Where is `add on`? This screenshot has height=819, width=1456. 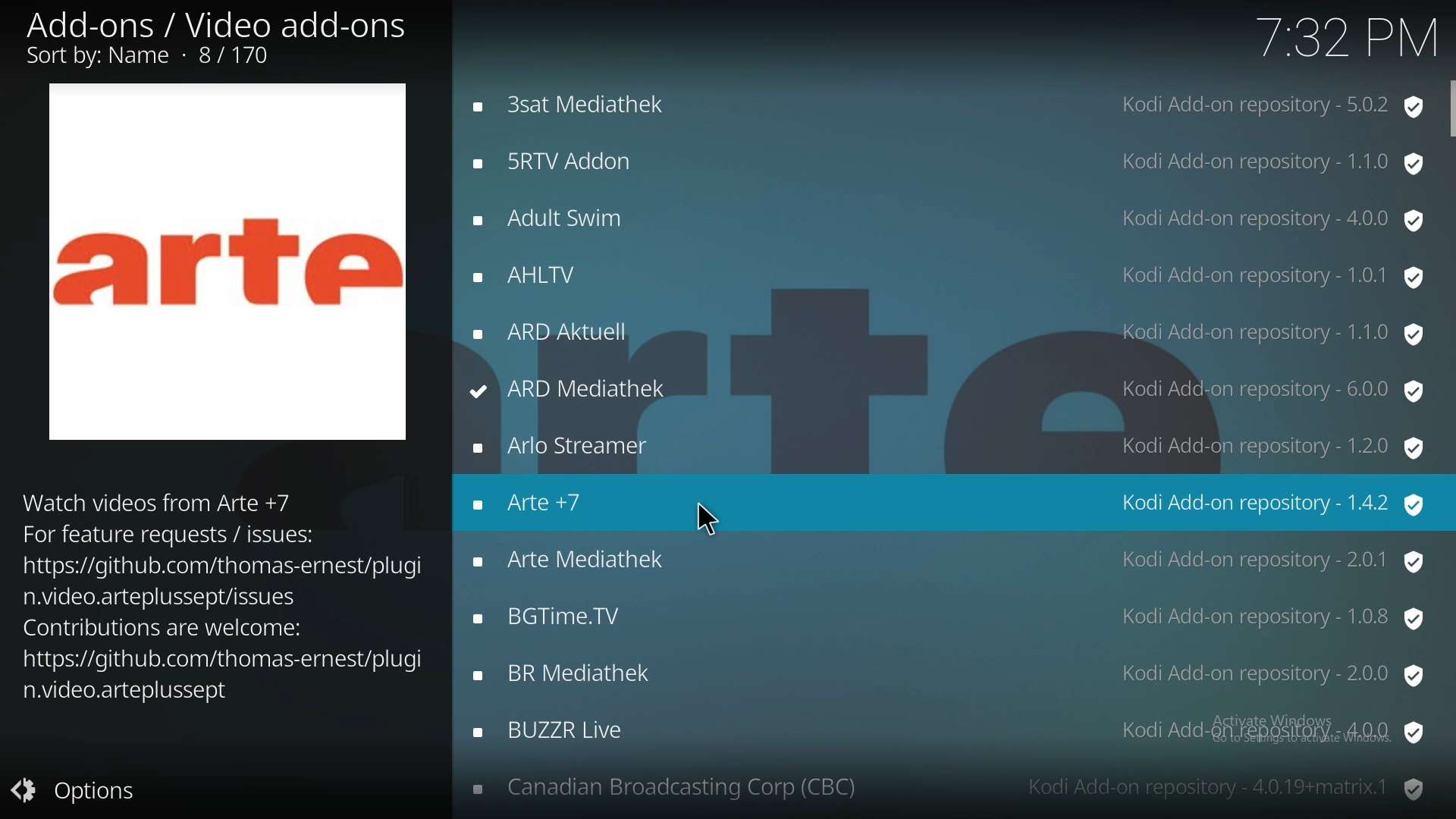 add on is located at coordinates (948, 332).